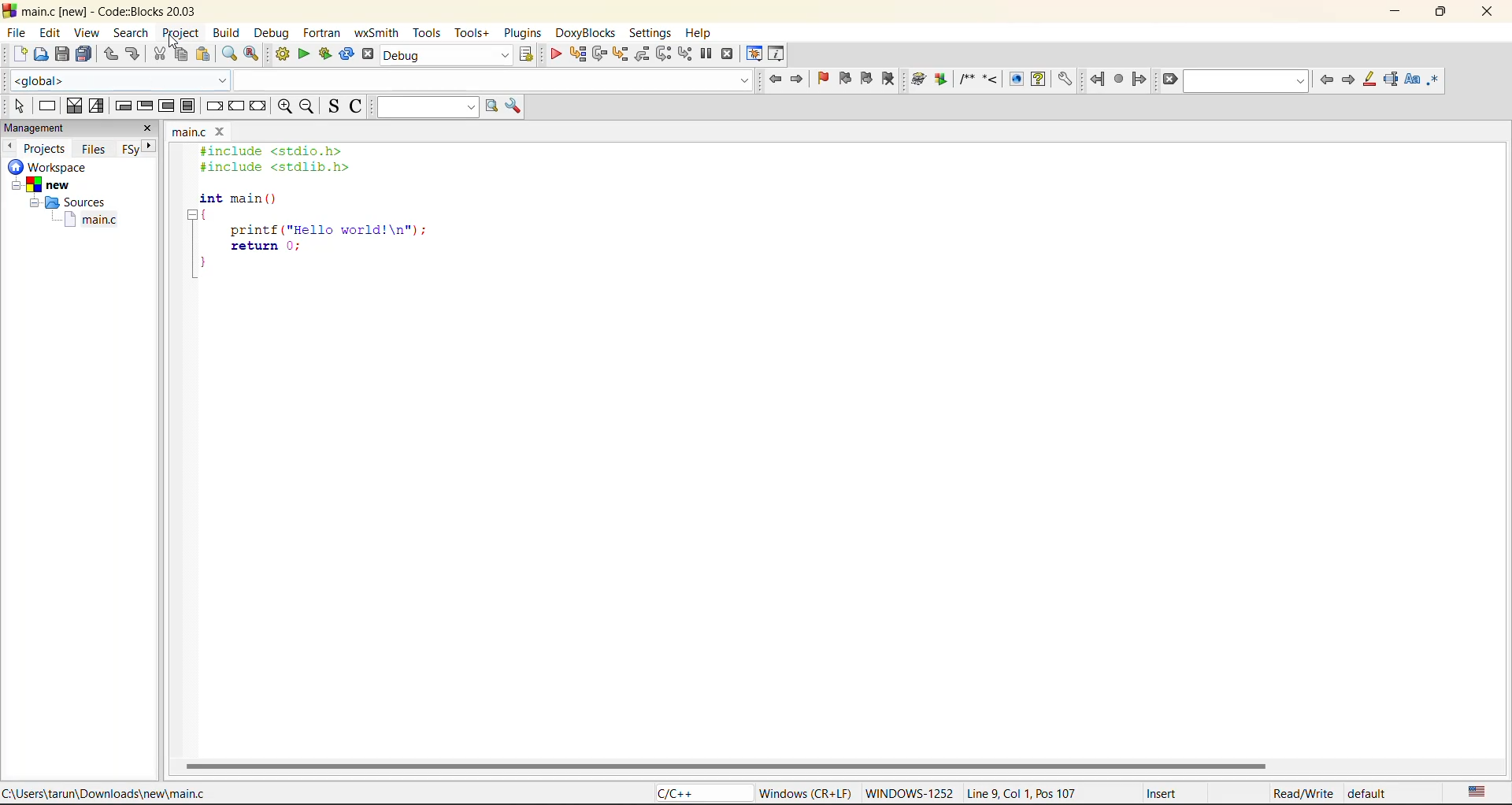 This screenshot has width=1512, height=805. Describe the element at coordinates (989, 79) in the screenshot. I see `Insert a line comment at the current cursor position` at that location.